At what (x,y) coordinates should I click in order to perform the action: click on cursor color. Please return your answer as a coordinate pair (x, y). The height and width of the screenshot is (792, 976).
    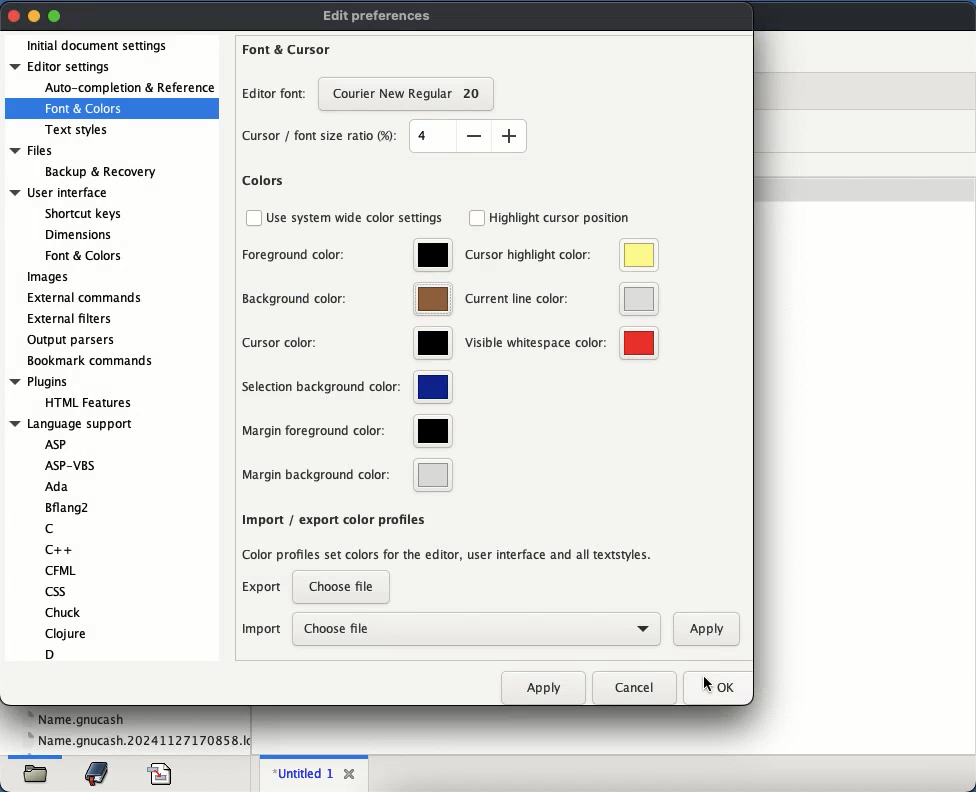
    Looking at the image, I should click on (348, 344).